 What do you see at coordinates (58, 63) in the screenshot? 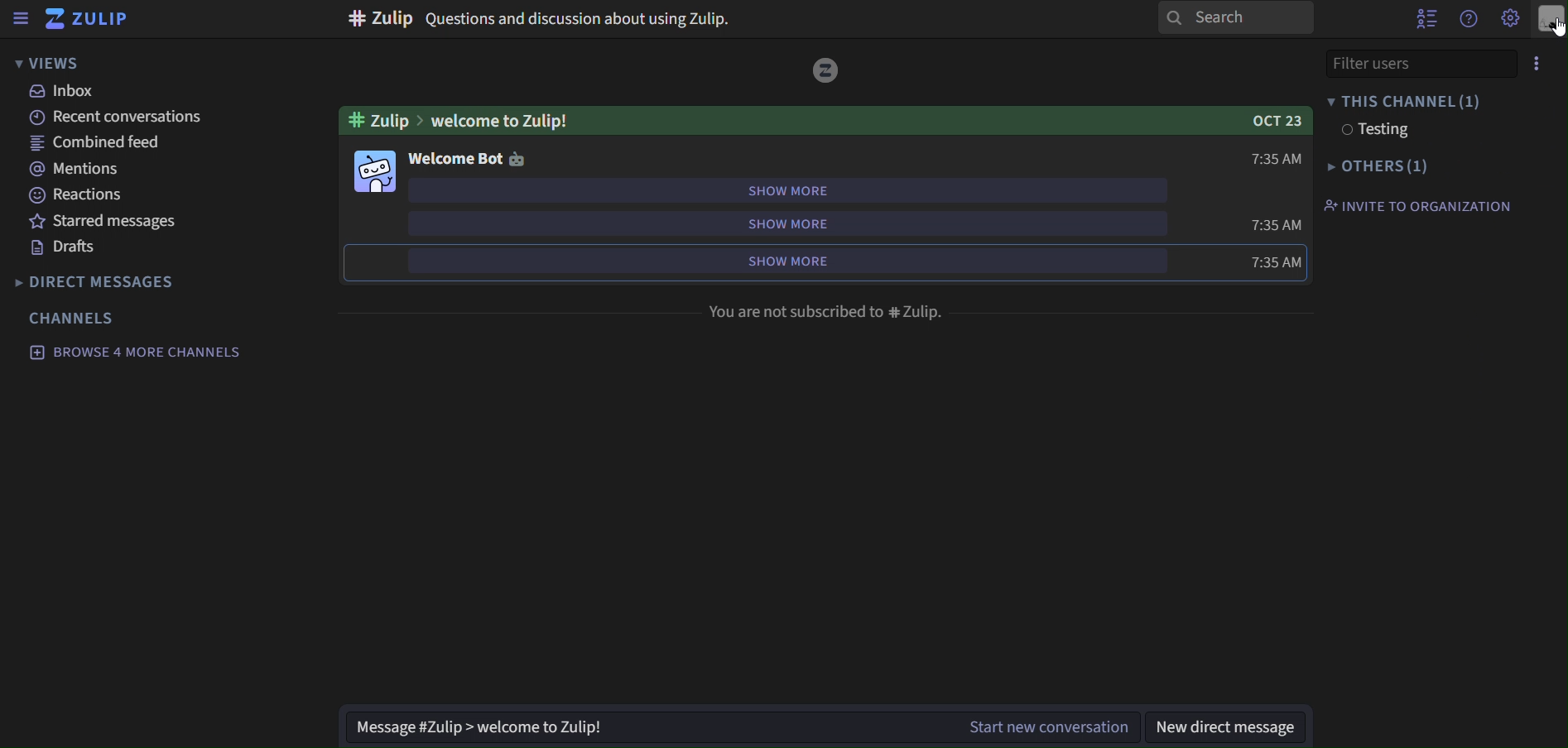
I see `views` at bounding box center [58, 63].